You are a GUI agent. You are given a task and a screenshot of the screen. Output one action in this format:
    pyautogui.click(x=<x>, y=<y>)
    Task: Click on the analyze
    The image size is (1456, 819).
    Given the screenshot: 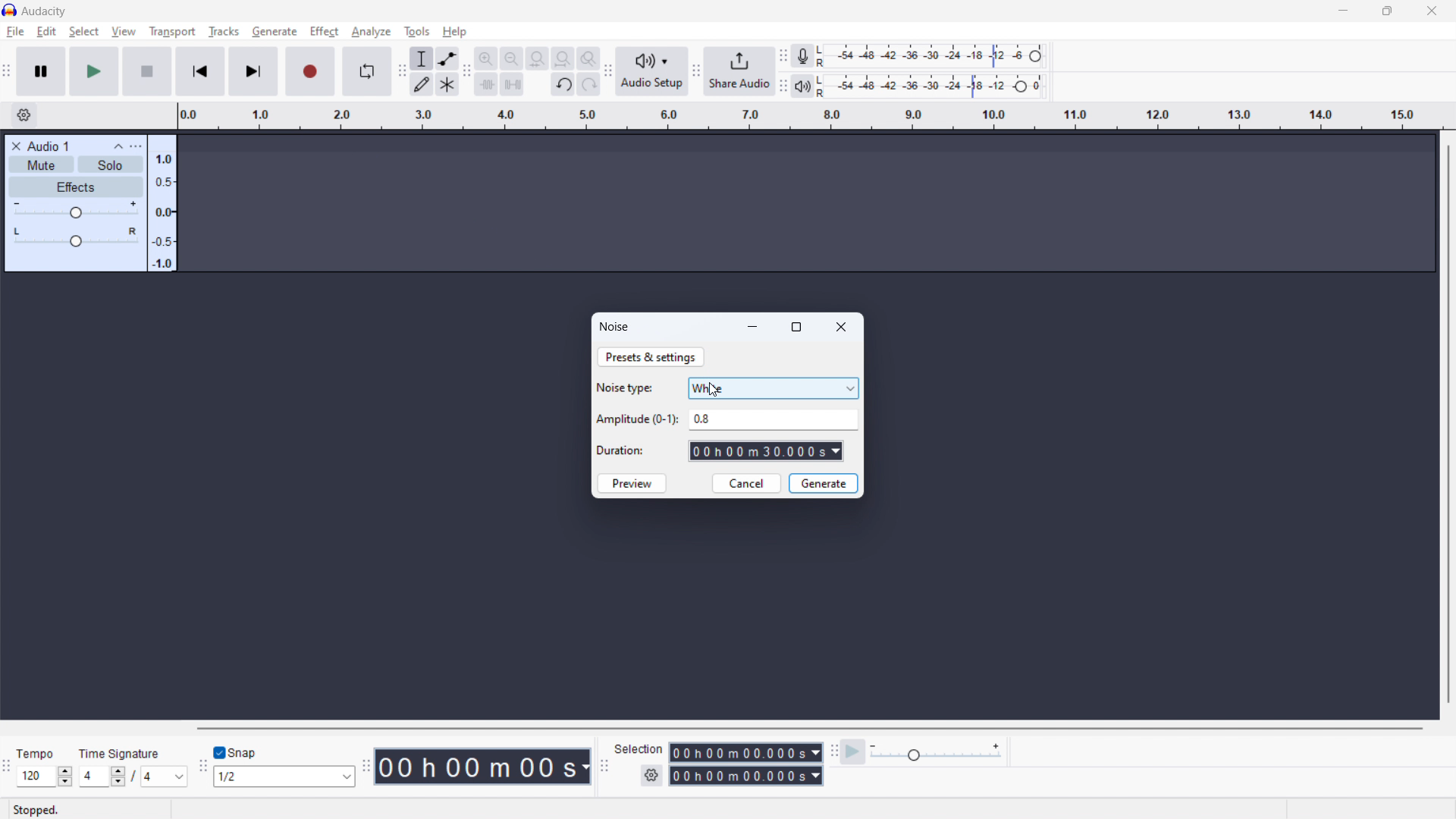 What is the action you would take?
    pyautogui.click(x=371, y=31)
    